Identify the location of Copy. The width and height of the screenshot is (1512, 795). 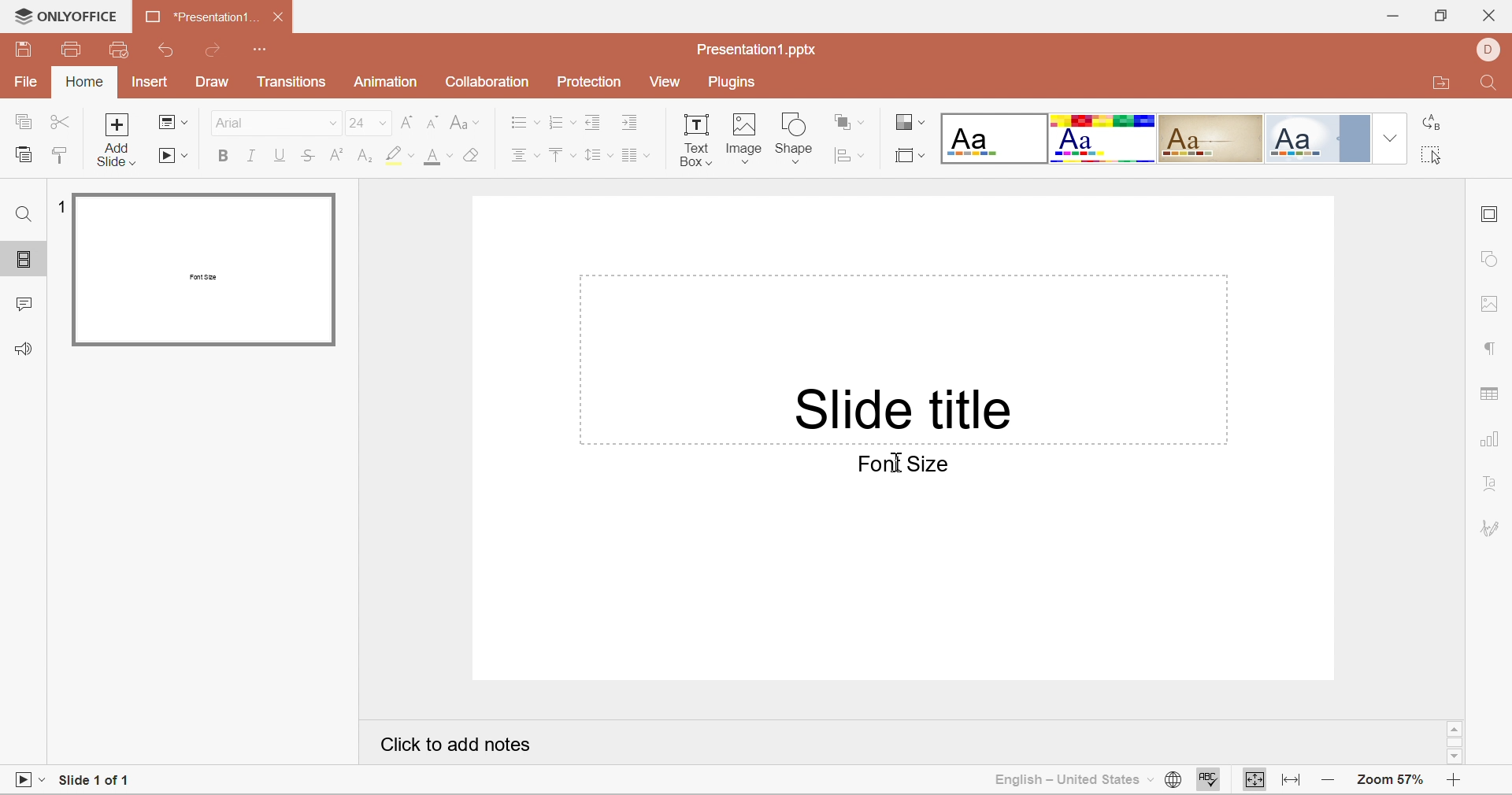
(26, 123).